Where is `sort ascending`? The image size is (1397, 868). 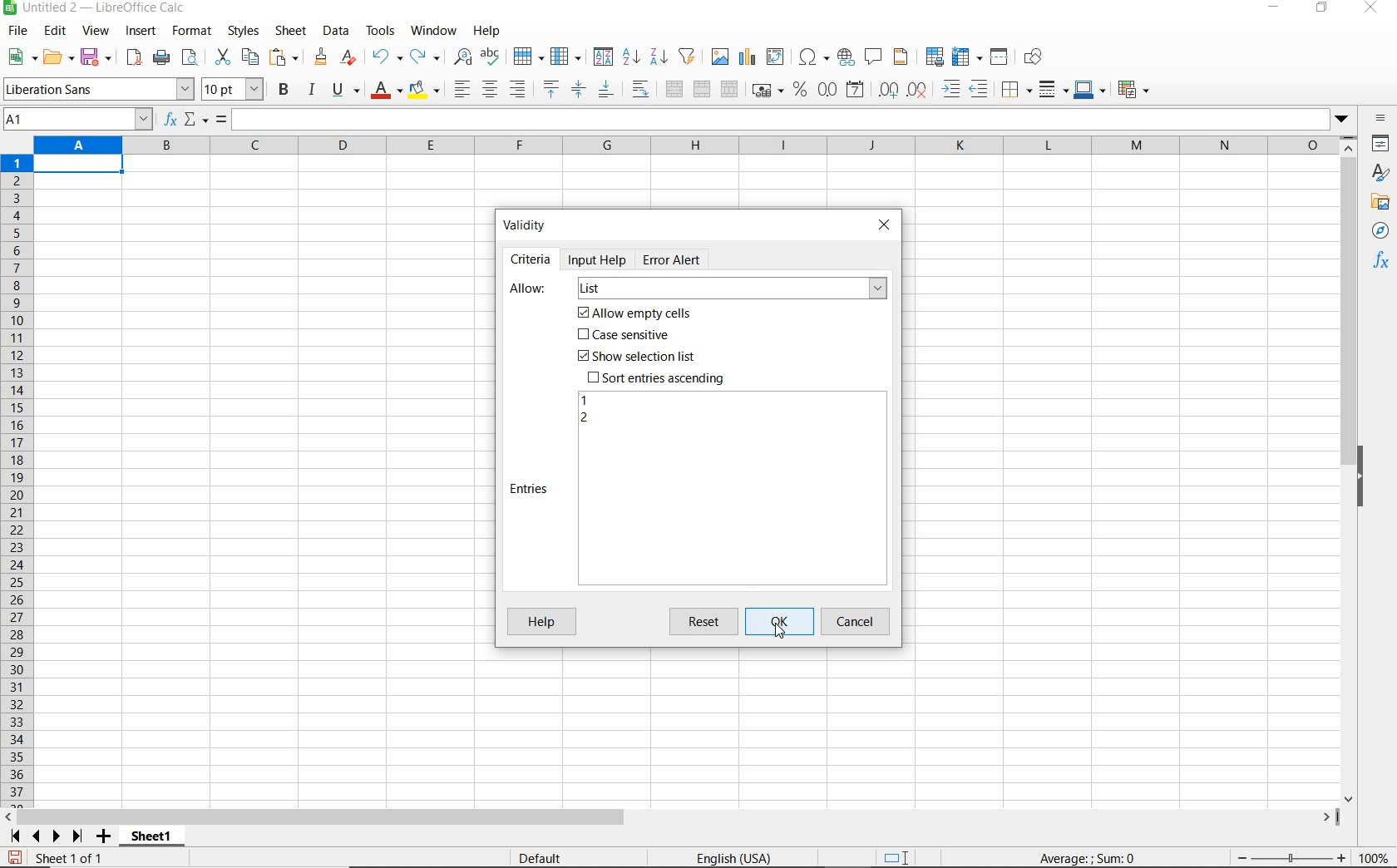 sort ascending is located at coordinates (631, 58).